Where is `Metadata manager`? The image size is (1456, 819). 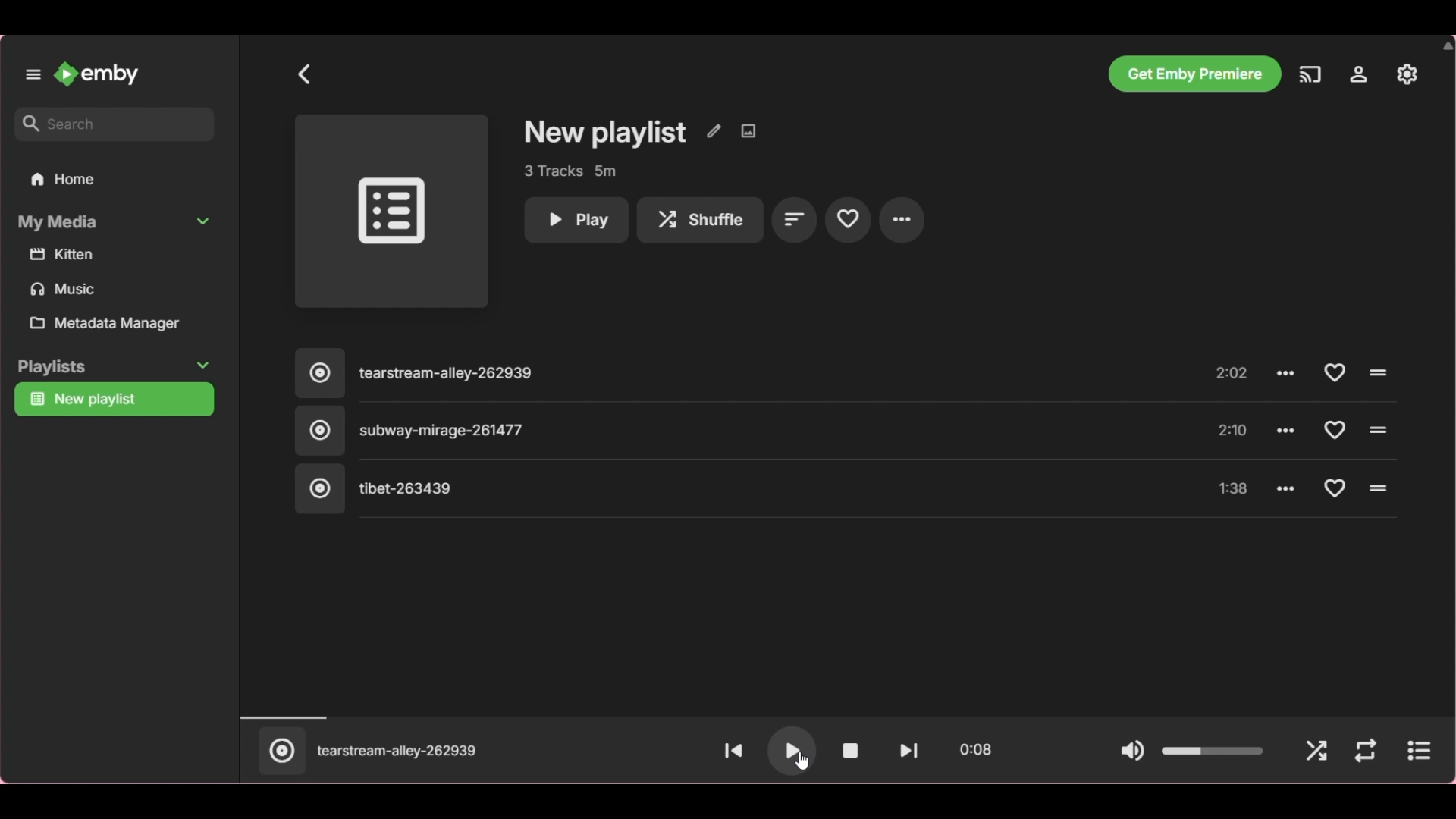
Metadata manager is located at coordinates (118, 323).